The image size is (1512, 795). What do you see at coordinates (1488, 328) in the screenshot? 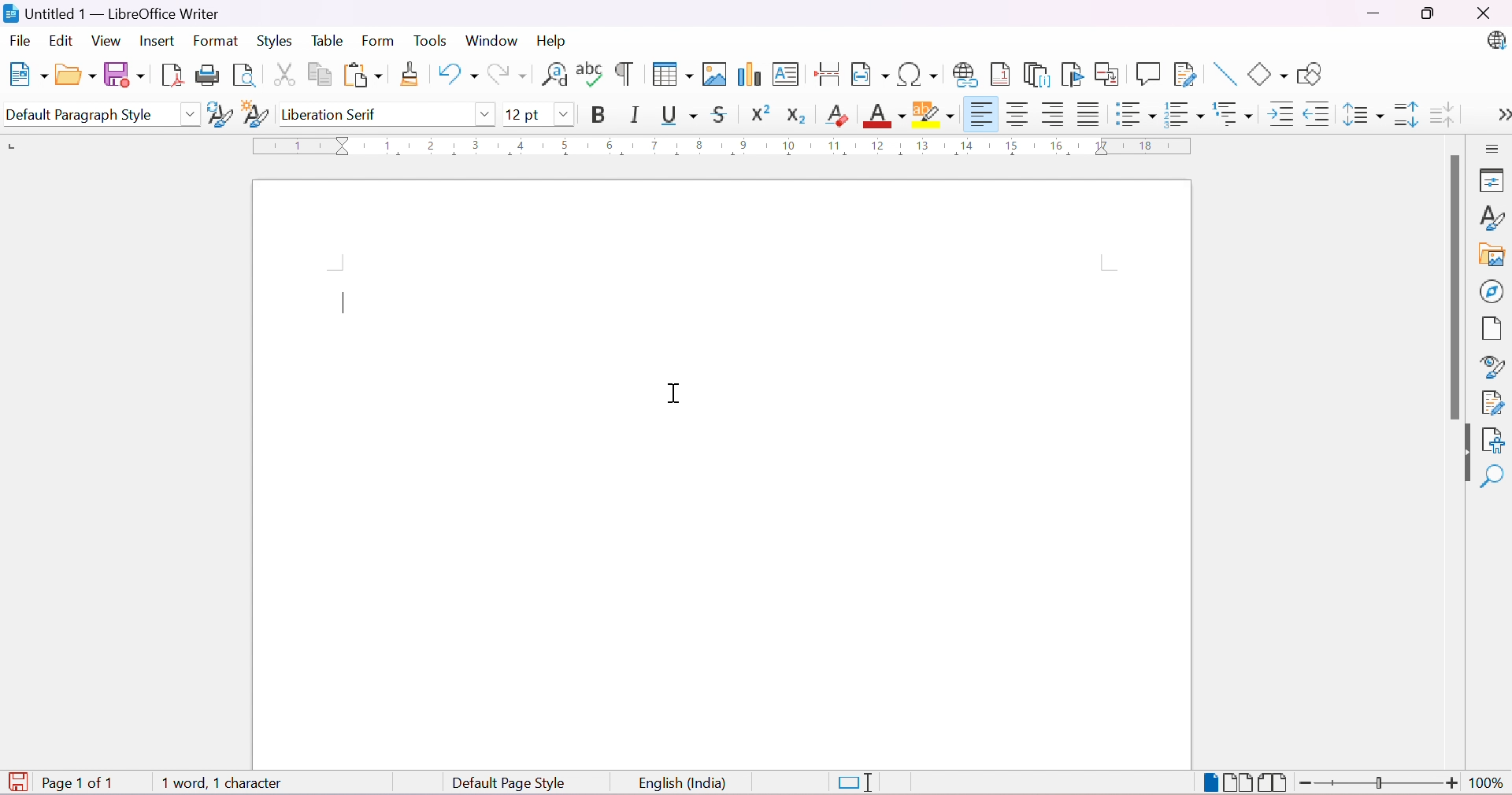
I see `Page` at bounding box center [1488, 328].